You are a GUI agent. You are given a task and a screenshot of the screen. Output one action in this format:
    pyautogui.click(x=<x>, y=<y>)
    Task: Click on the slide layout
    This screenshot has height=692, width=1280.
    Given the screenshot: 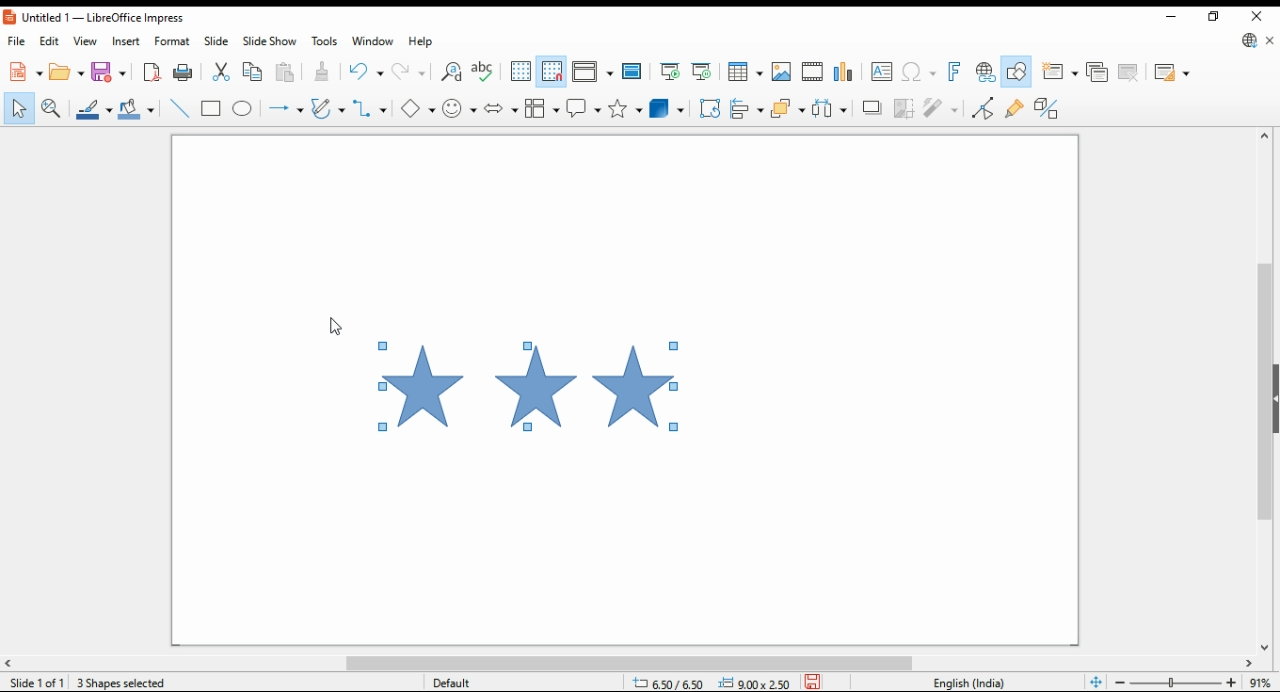 What is the action you would take?
    pyautogui.click(x=1173, y=73)
    